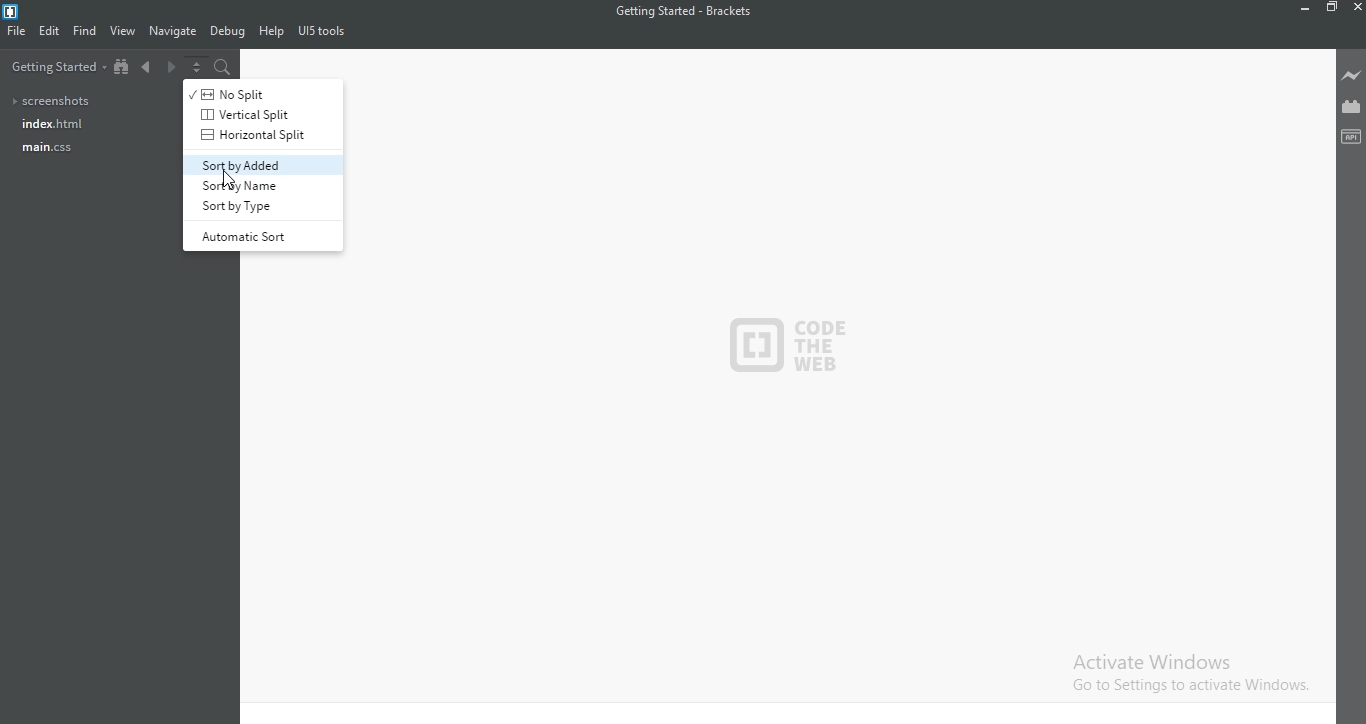  Describe the element at coordinates (47, 150) in the screenshot. I see `main.css` at that location.